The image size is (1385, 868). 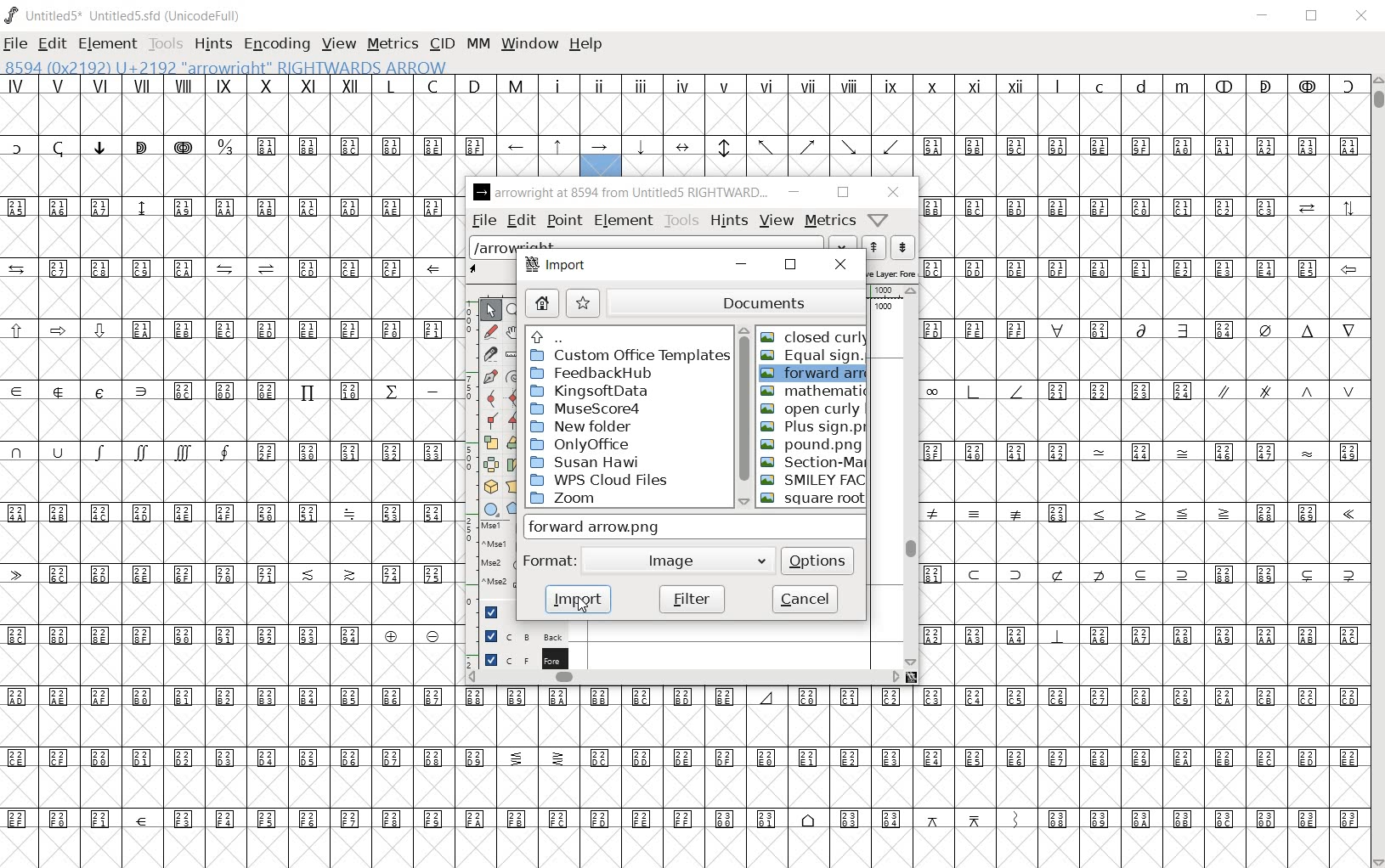 I want to click on add a point, then drag out its control points, so click(x=489, y=377).